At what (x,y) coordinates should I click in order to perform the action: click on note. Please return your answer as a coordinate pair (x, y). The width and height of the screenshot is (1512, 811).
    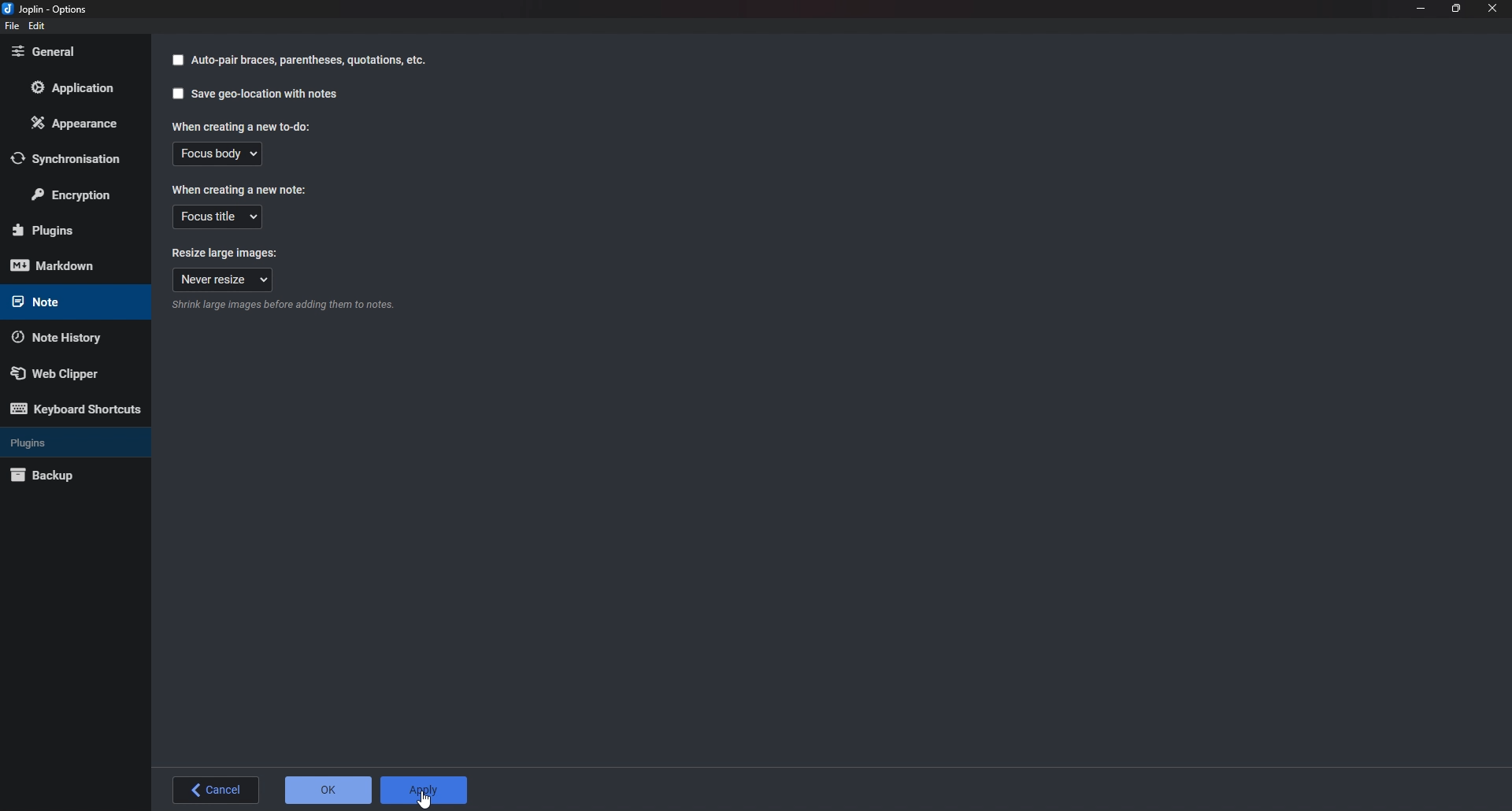
    Looking at the image, I should click on (67, 302).